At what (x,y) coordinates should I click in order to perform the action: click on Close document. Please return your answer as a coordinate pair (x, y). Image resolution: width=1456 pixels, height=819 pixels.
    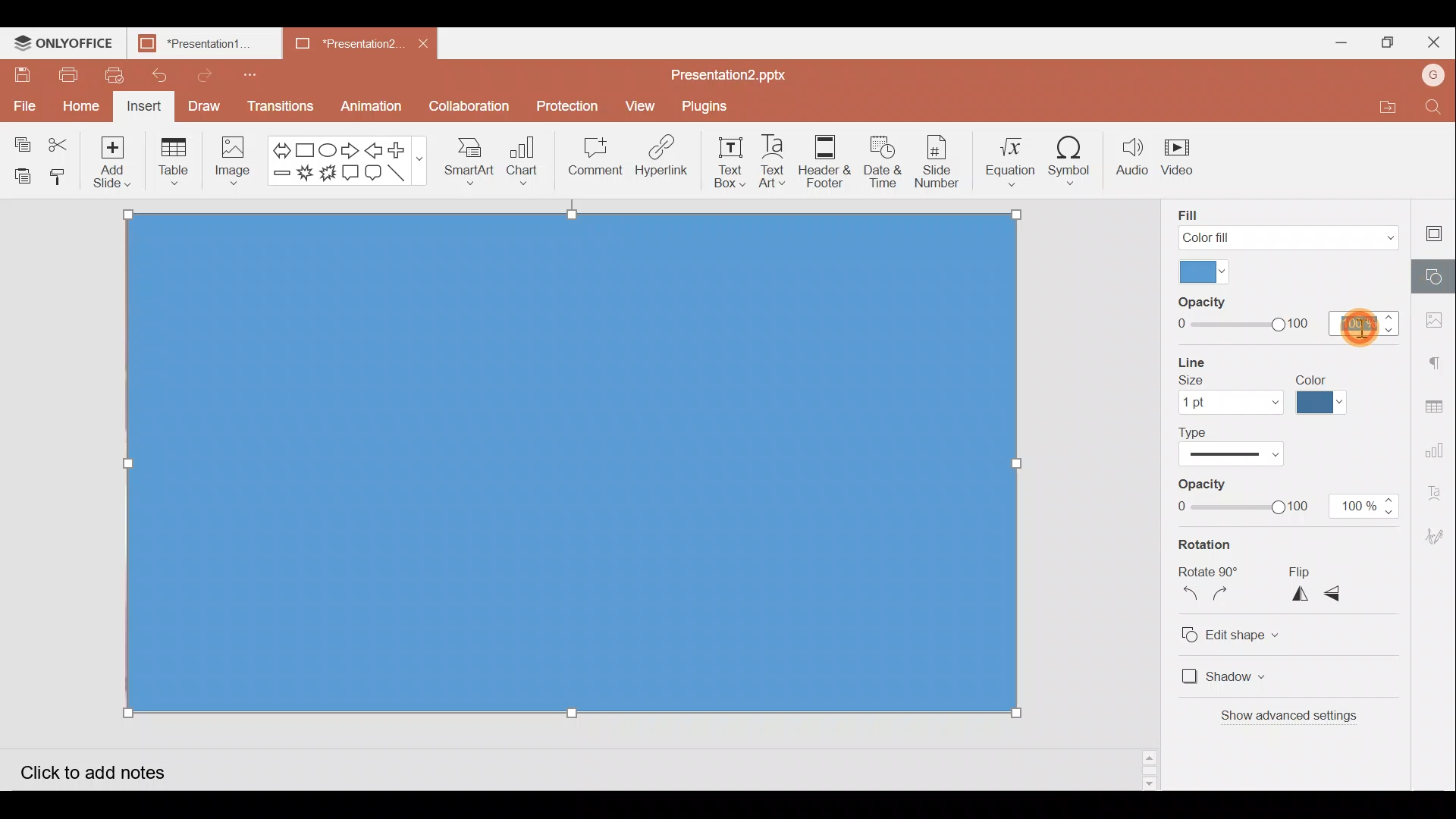
    Looking at the image, I should click on (424, 42).